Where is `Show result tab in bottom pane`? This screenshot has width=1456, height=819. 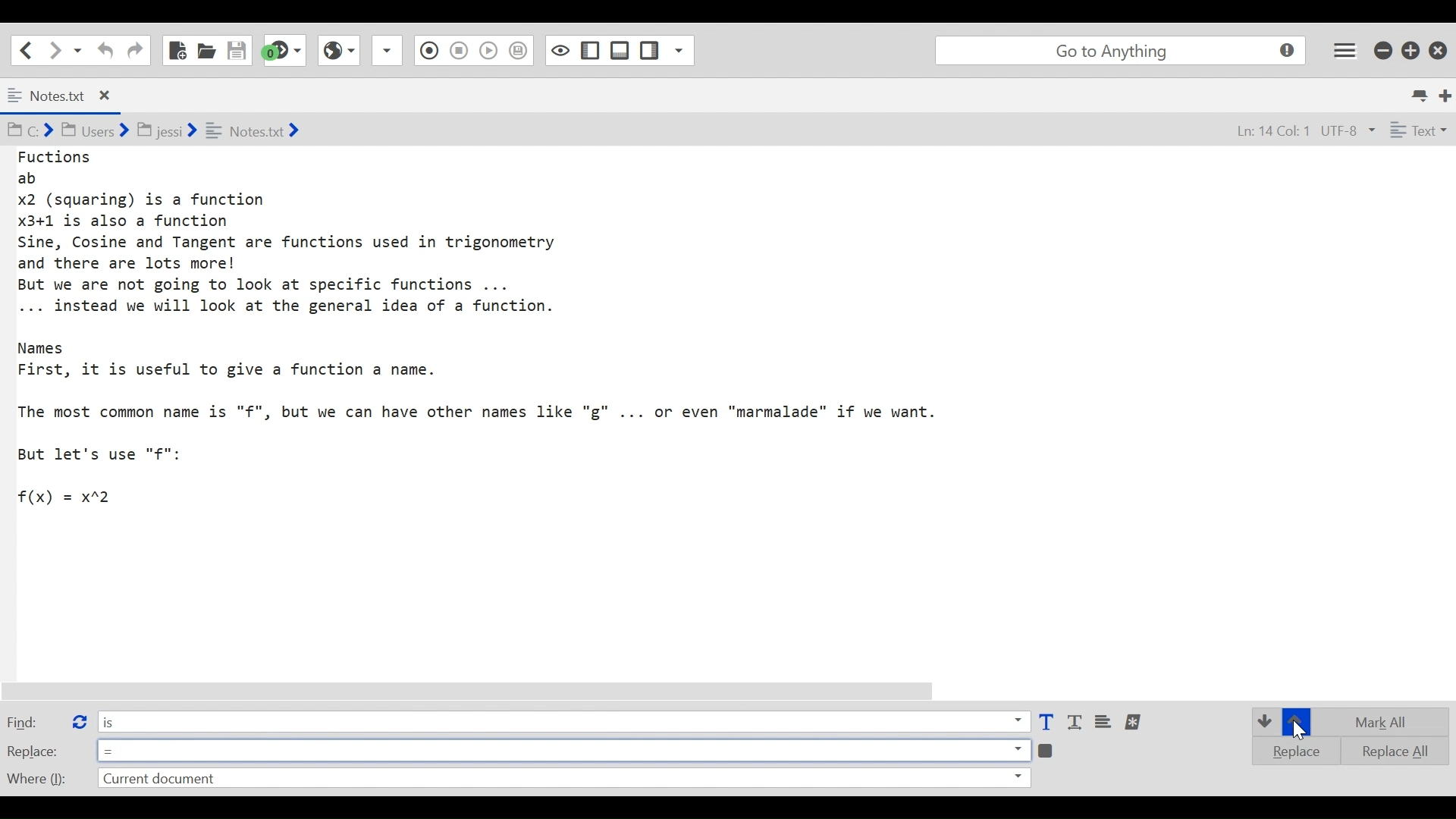 Show result tab in bottom pane is located at coordinates (1048, 749).